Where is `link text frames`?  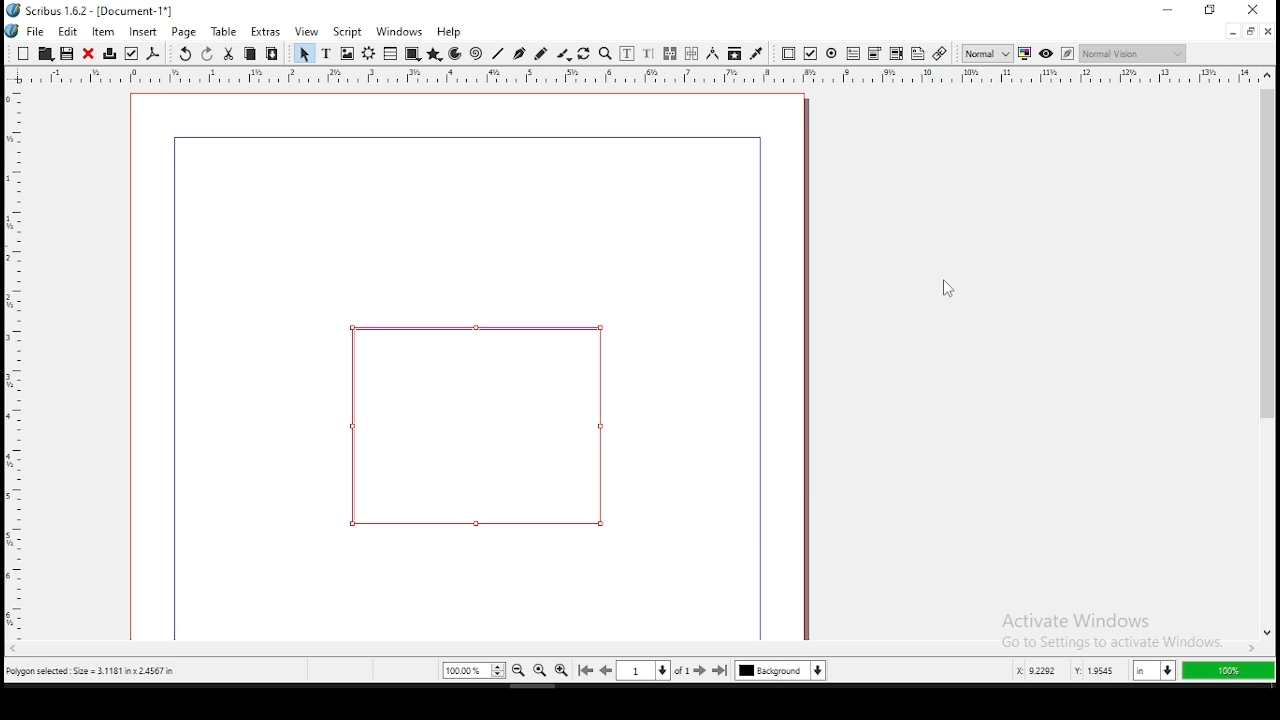
link text frames is located at coordinates (670, 54).